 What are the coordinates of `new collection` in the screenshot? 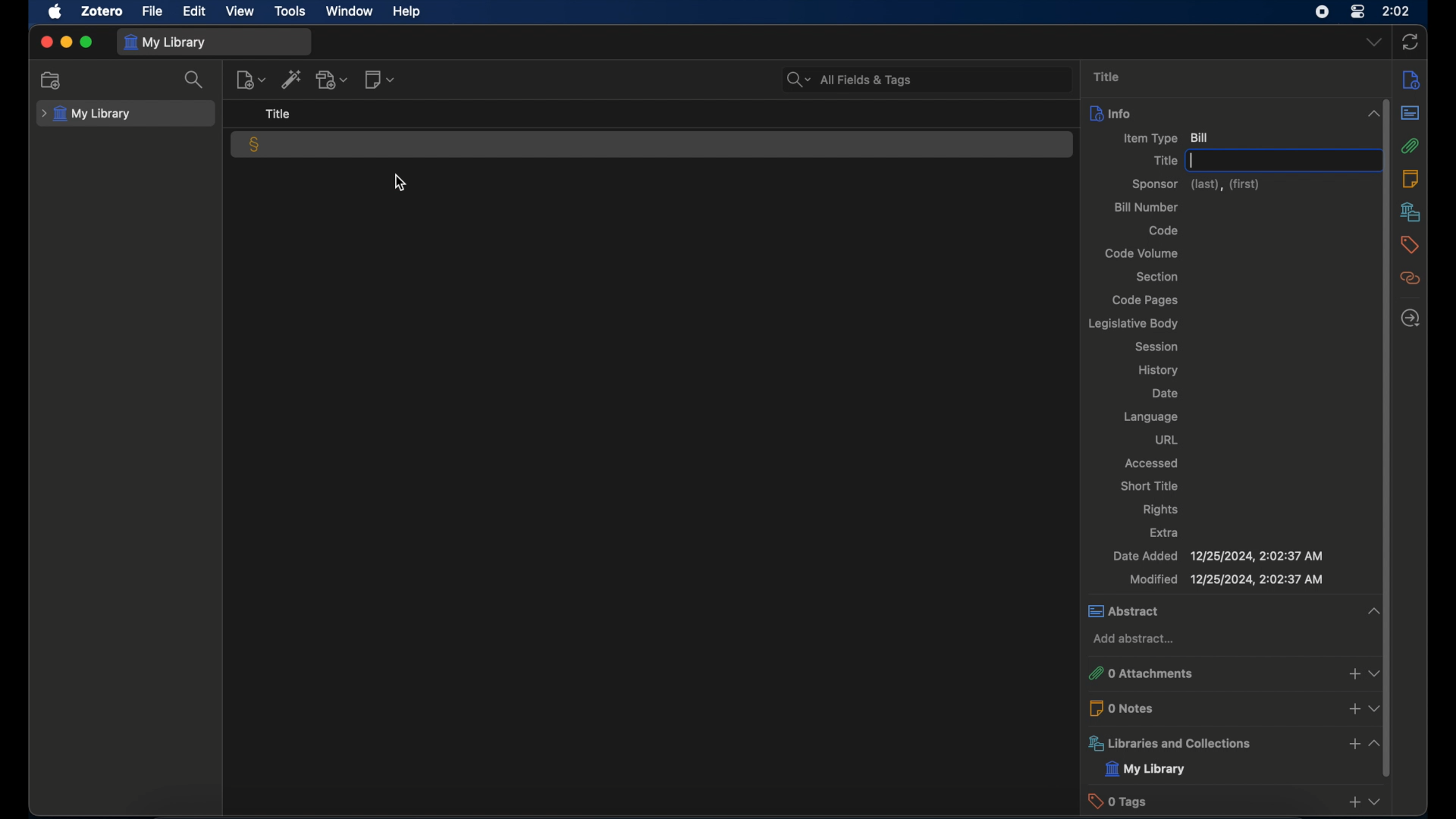 It's located at (53, 80).